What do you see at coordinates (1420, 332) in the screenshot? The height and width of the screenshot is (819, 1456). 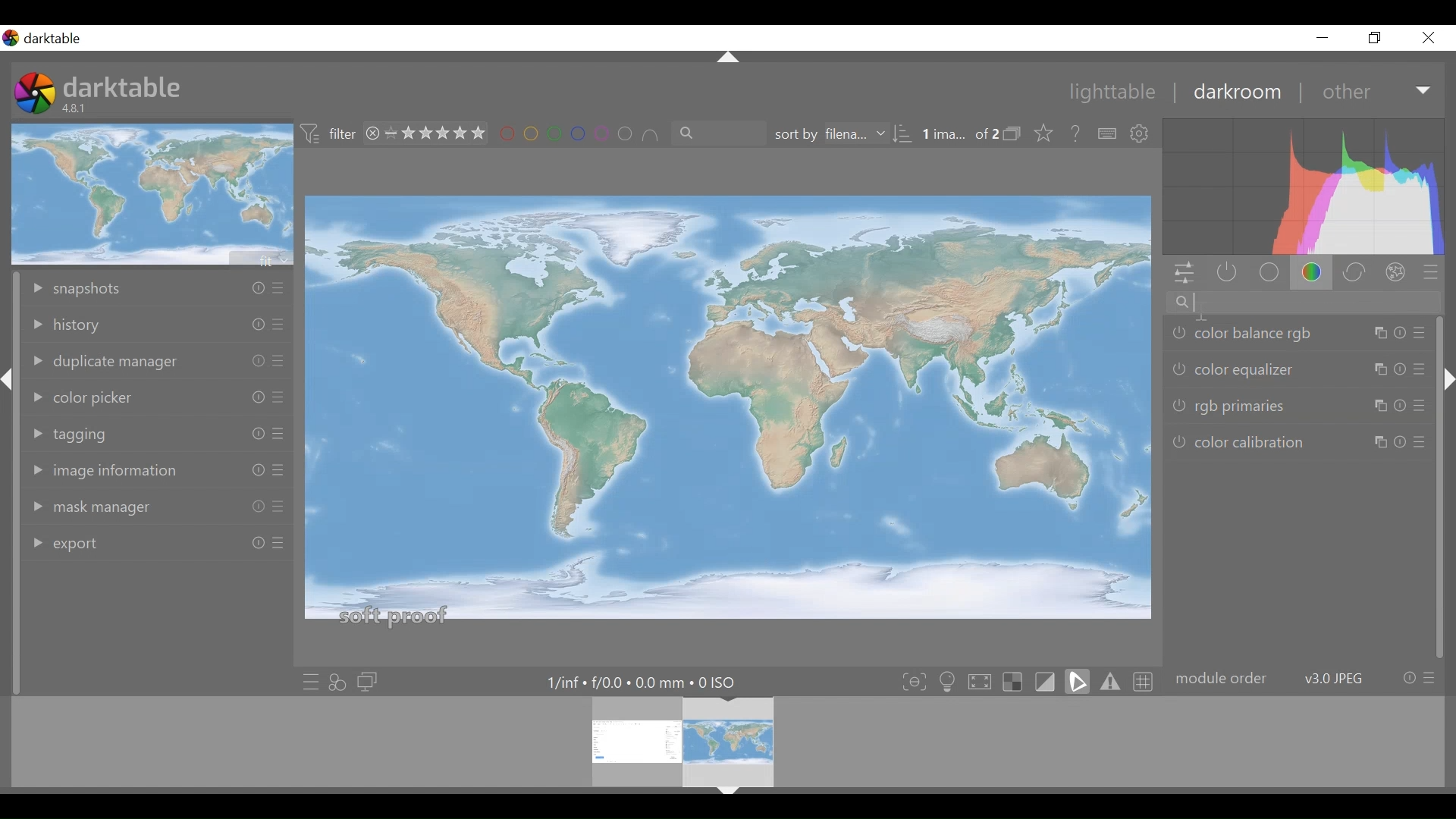 I see `` at bounding box center [1420, 332].